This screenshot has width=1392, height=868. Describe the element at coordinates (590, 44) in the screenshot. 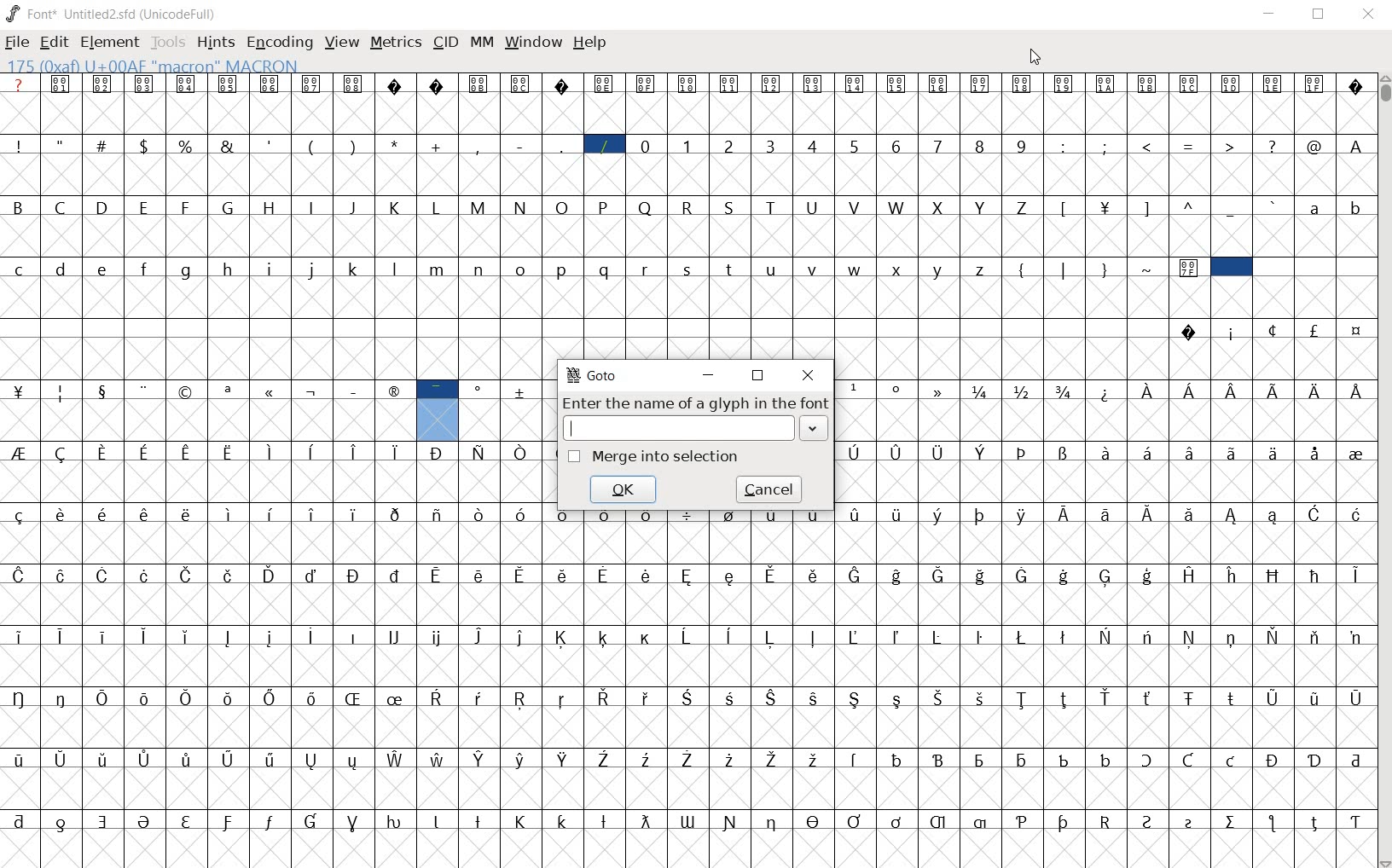

I see `HELP` at that location.